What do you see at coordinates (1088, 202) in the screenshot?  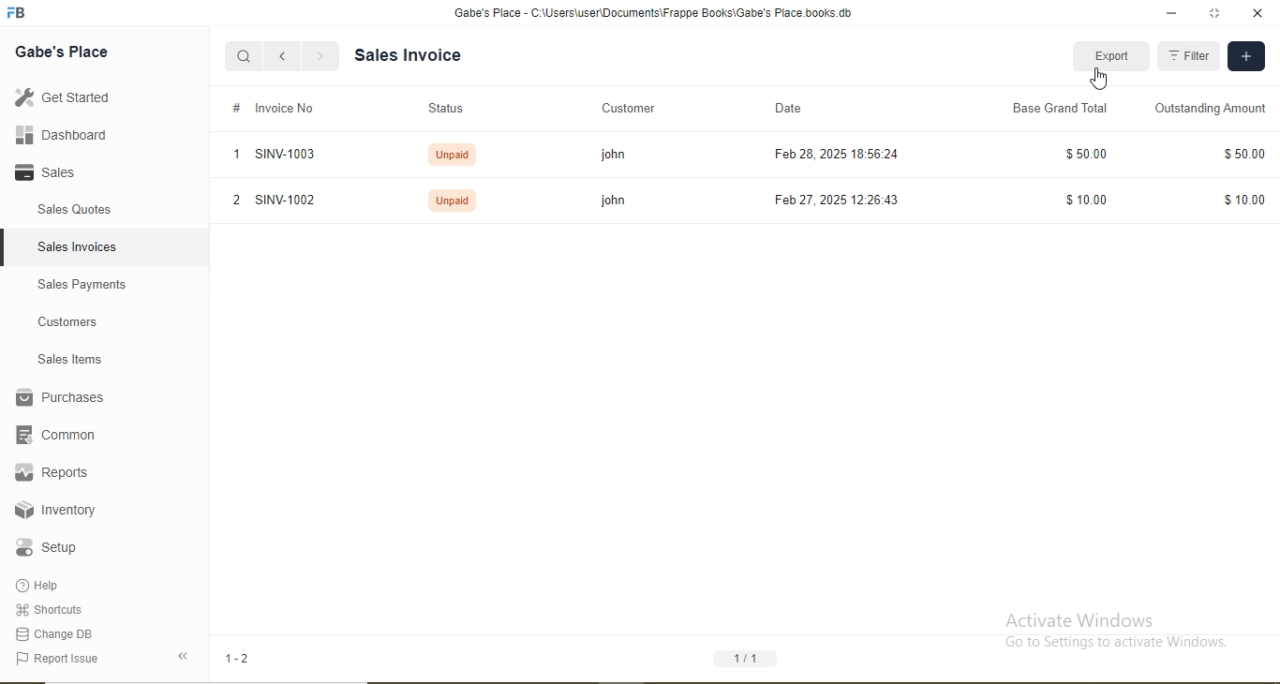 I see `$1000` at bounding box center [1088, 202].